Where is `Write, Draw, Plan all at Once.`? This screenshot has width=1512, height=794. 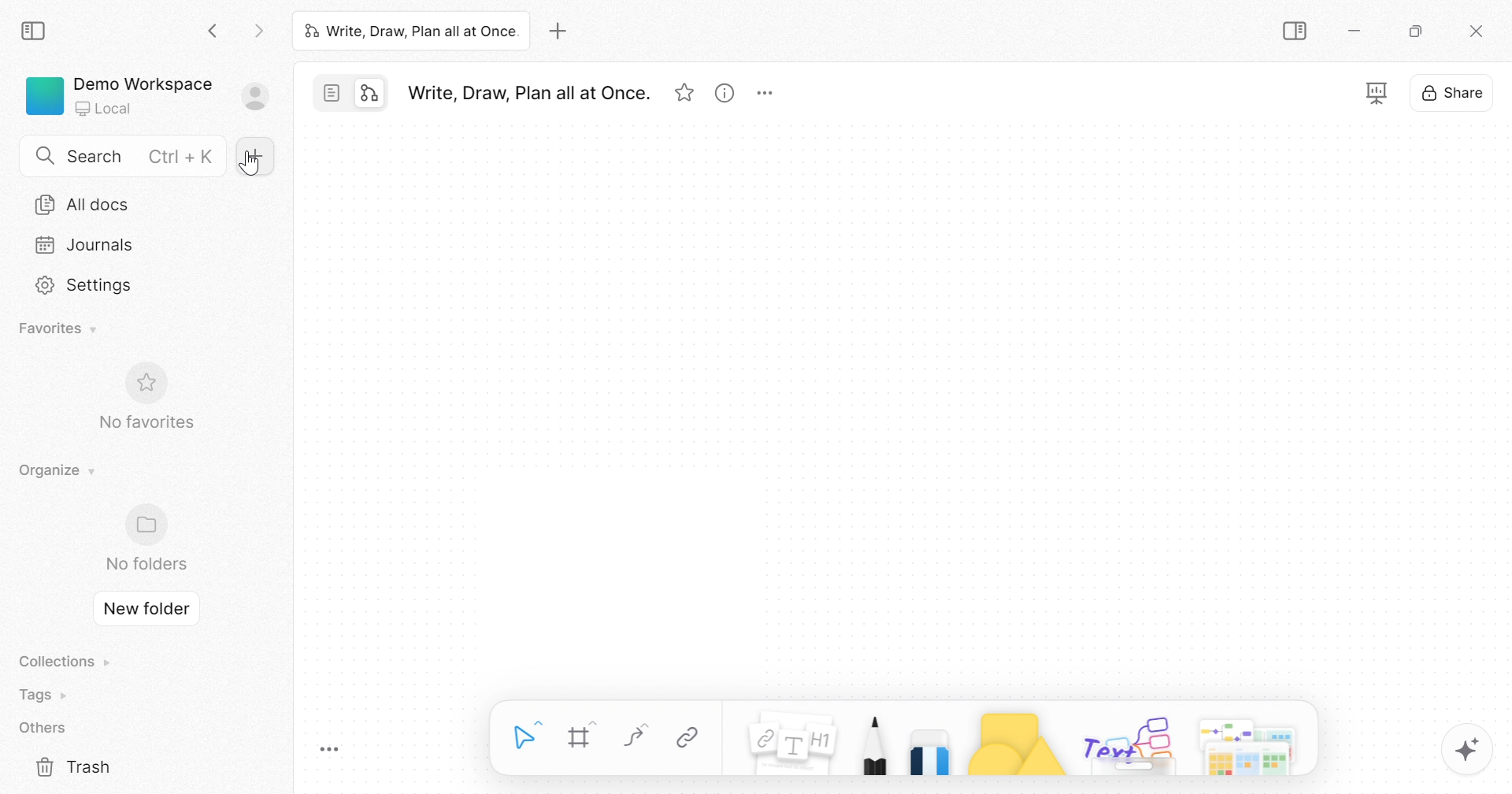 Write, Draw, Plan all at Once. is located at coordinates (411, 29).